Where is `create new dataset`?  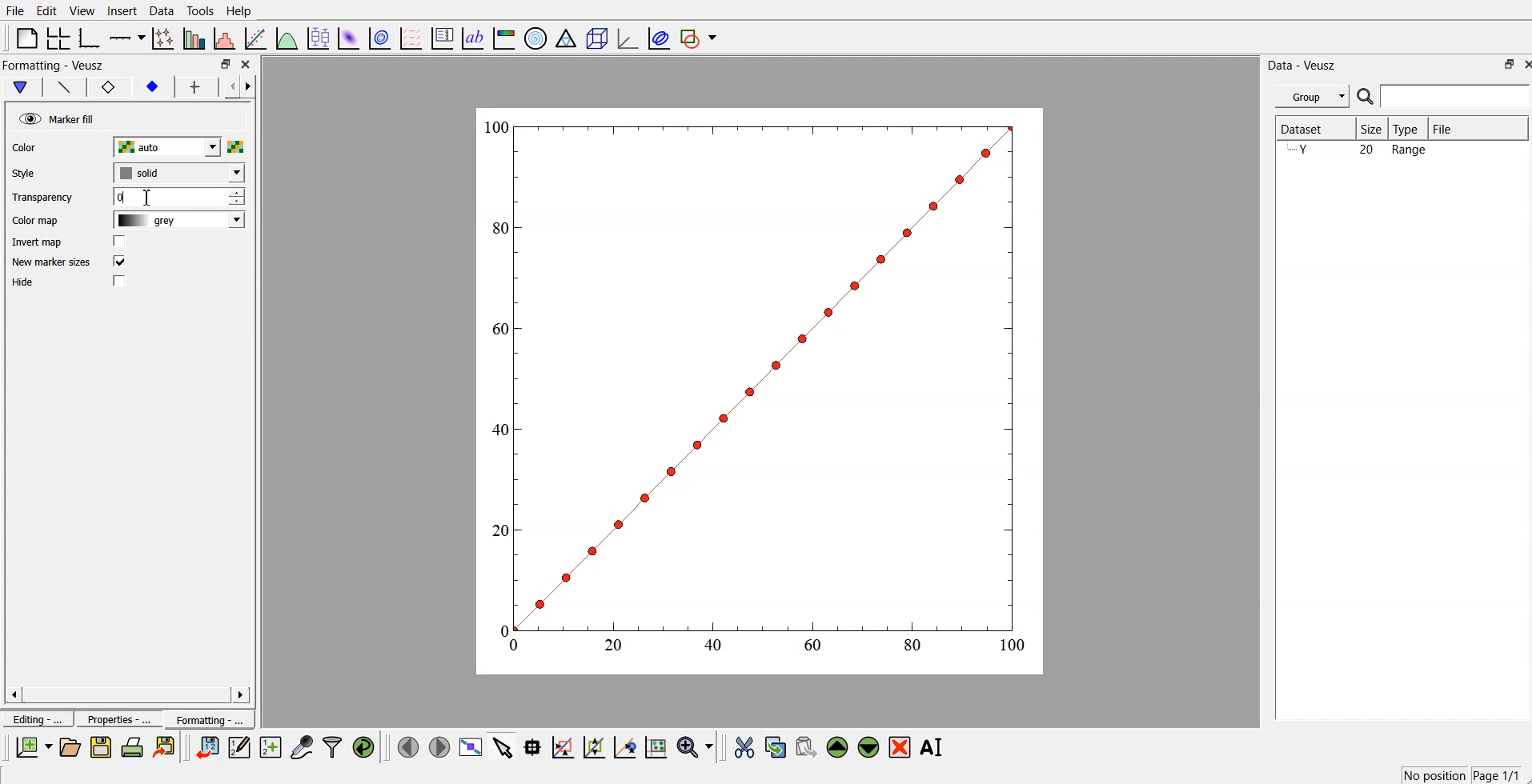
create new dataset is located at coordinates (270, 745).